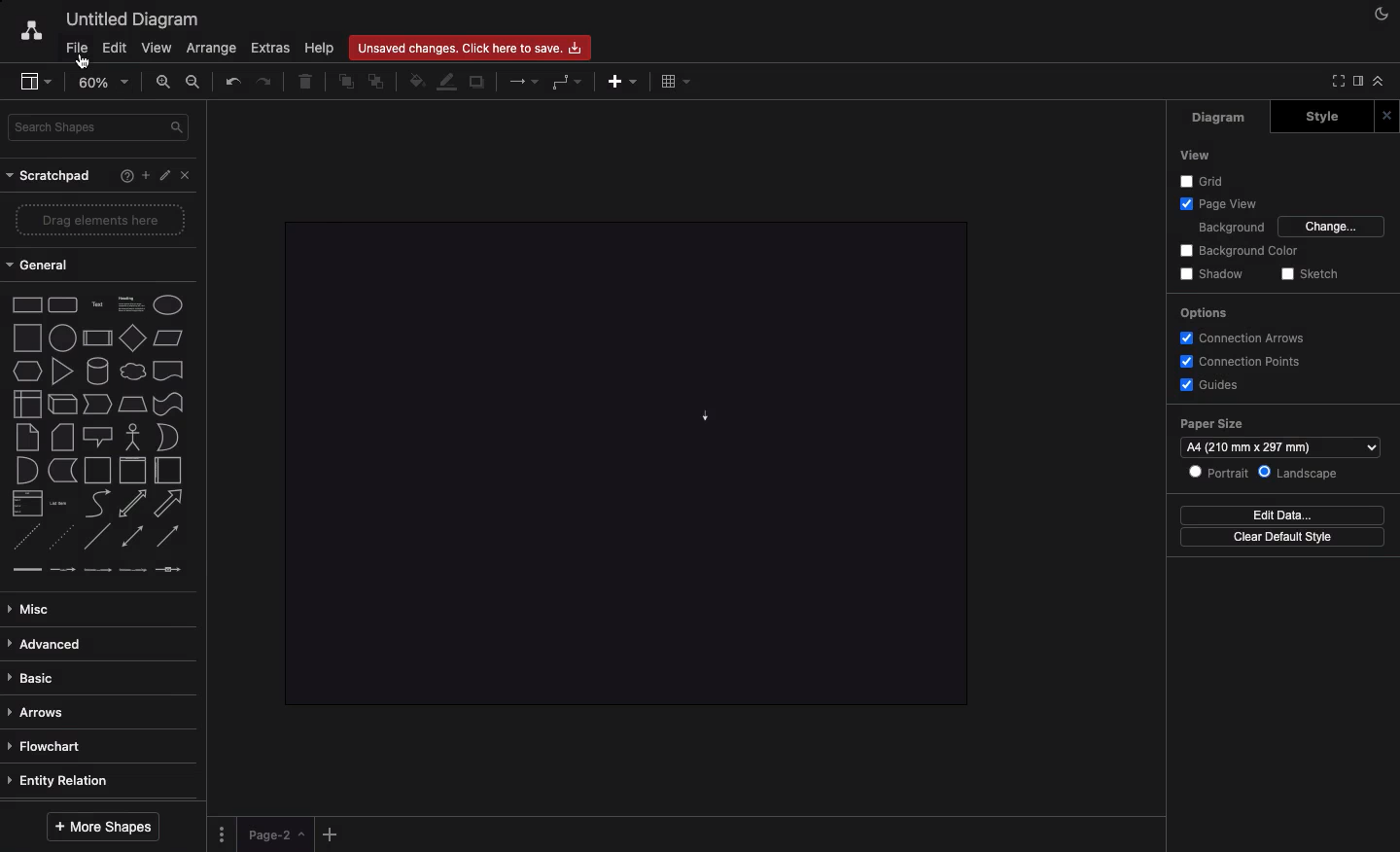 This screenshot has width=1400, height=852. I want to click on Scratchpad, so click(51, 175).